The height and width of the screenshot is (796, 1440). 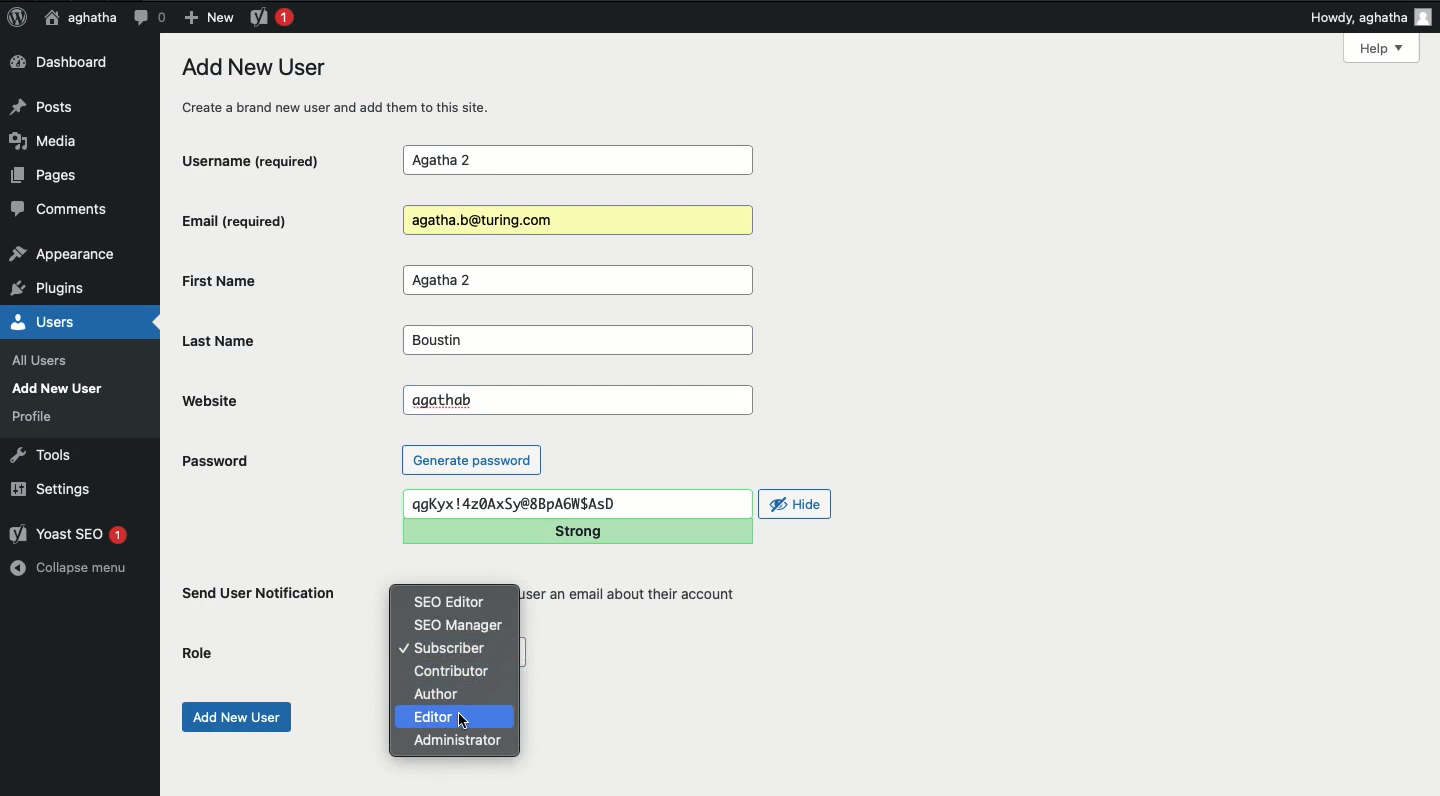 I want to click on qgKyx!4z0AxSy@8BpA6GWIAsD, so click(x=579, y=503).